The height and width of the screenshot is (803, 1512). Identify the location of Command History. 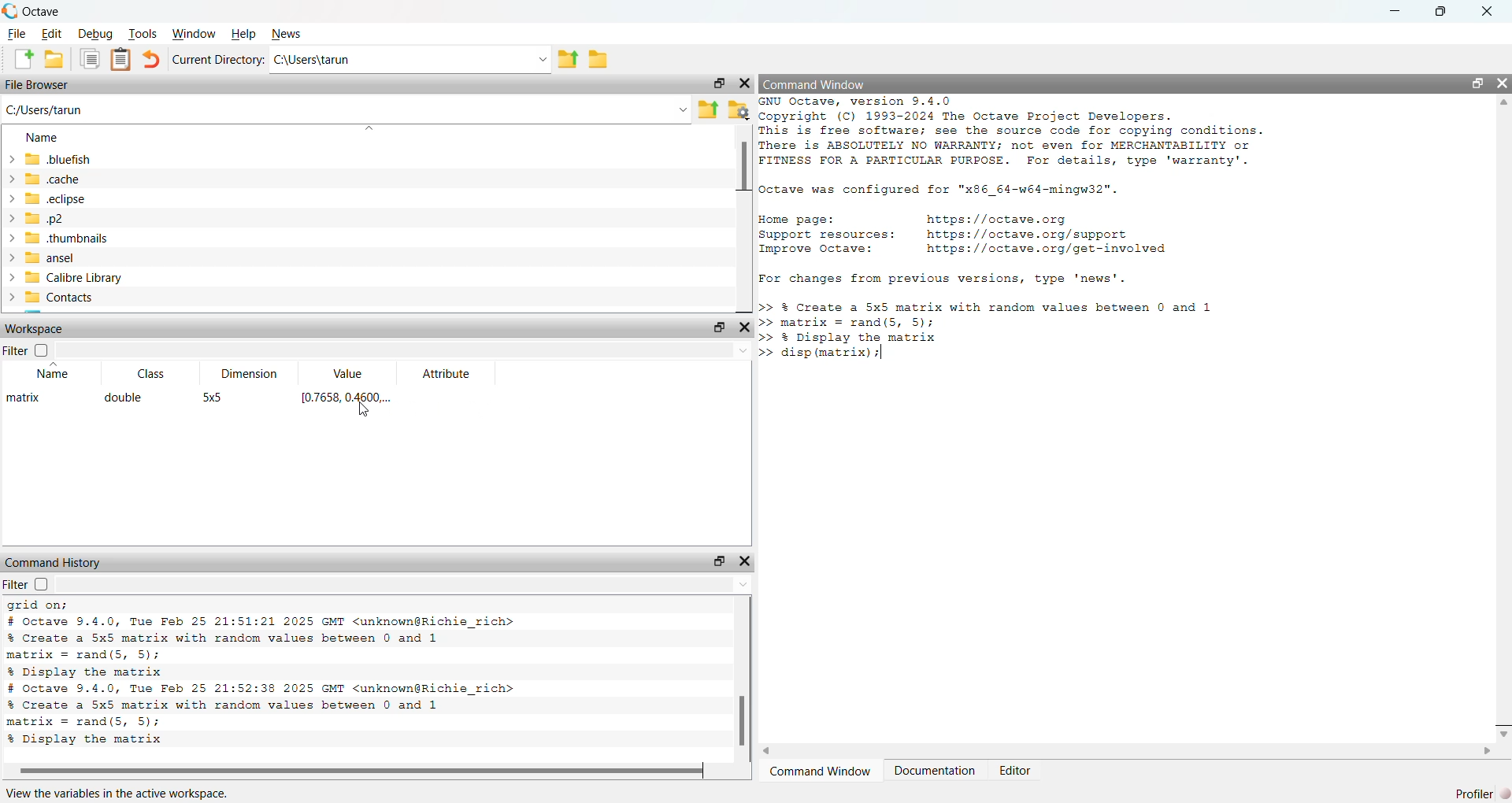
(56, 560).